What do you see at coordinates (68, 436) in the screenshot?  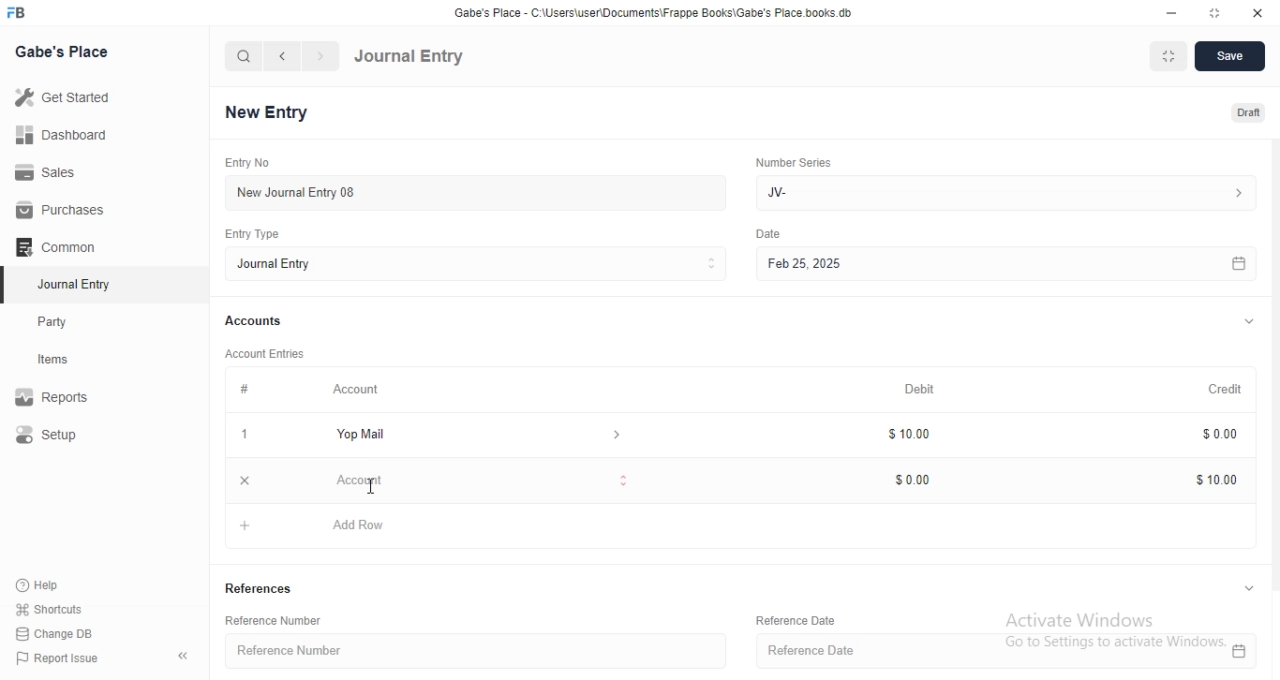 I see `Setup` at bounding box center [68, 436].